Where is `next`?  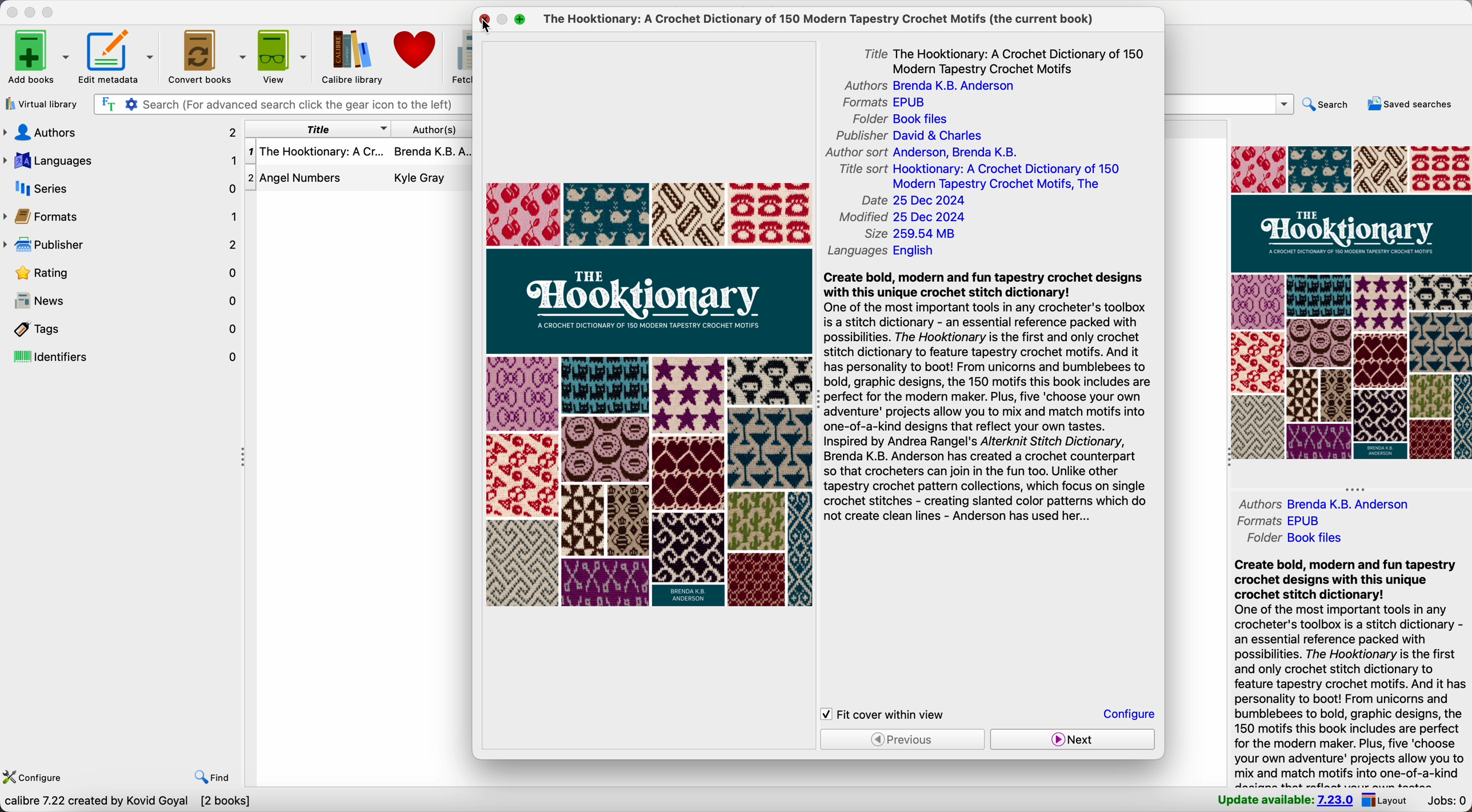
next is located at coordinates (1071, 739).